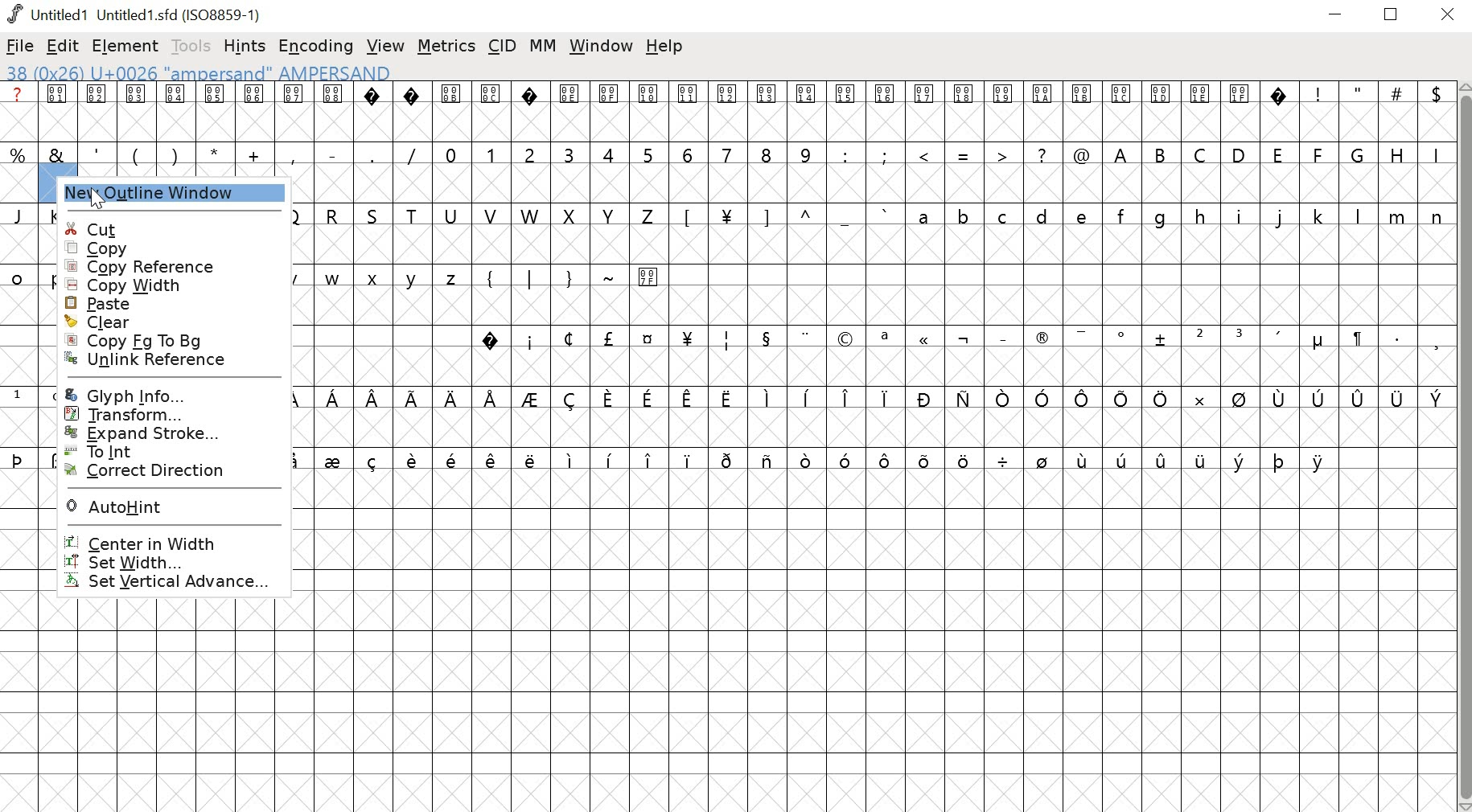 This screenshot has width=1472, height=812. What do you see at coordinates (925, 112) in the screenshot?
I see `0017` at bounding box center [925, 112].